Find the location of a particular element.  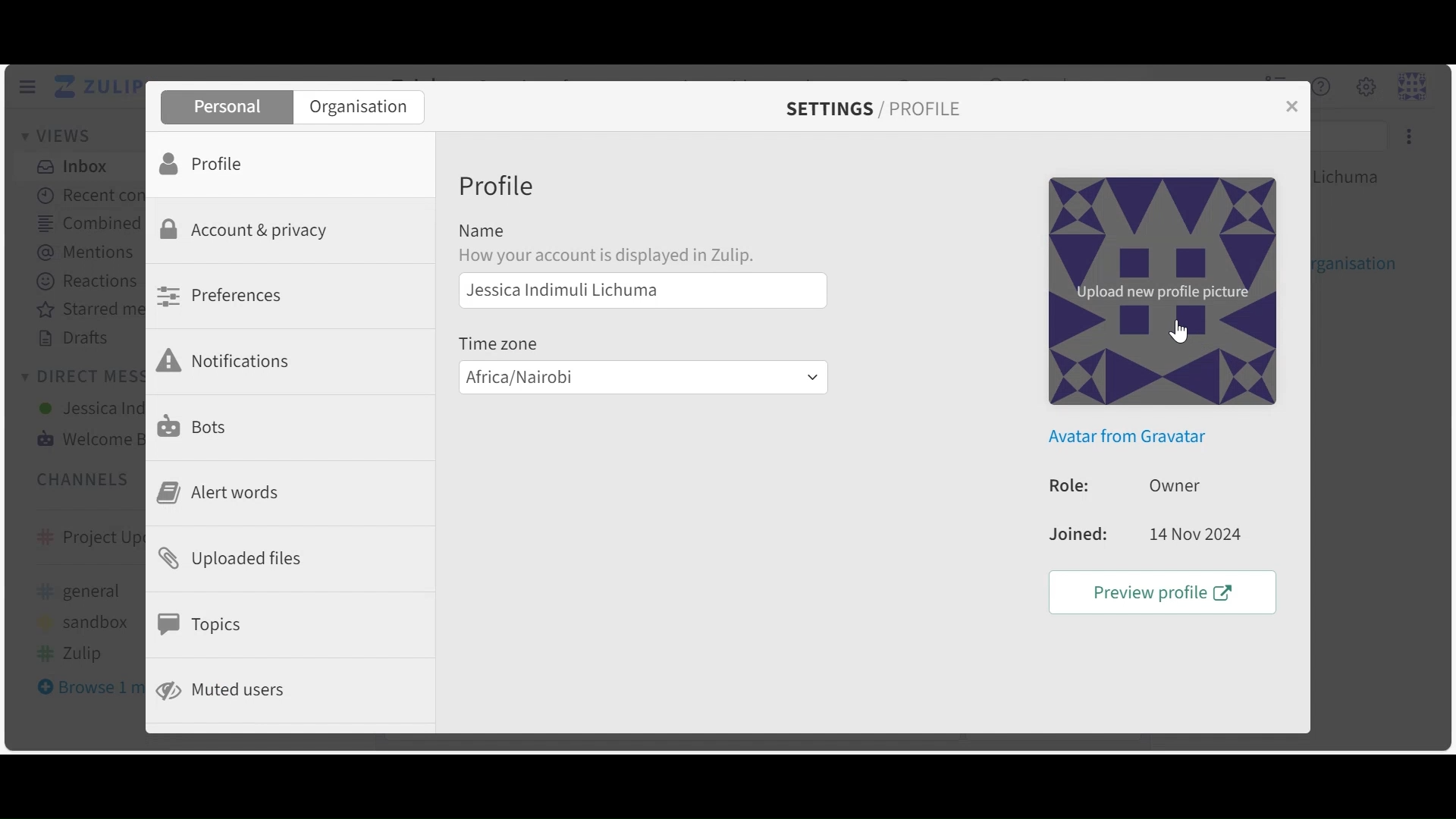

cursor is located at coordinates (1183, 333).